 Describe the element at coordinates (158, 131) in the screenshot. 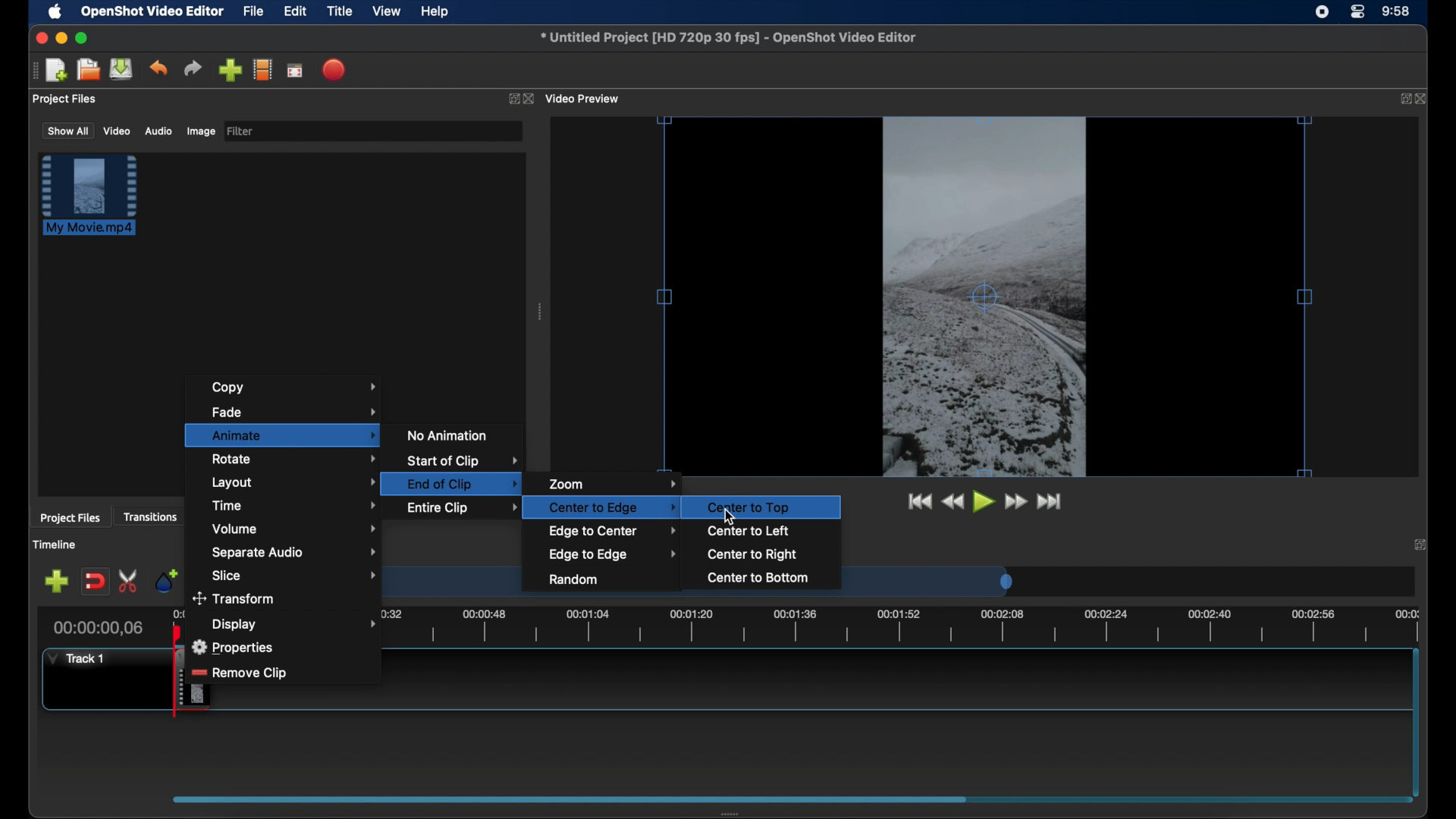

I see `audio` at that location.